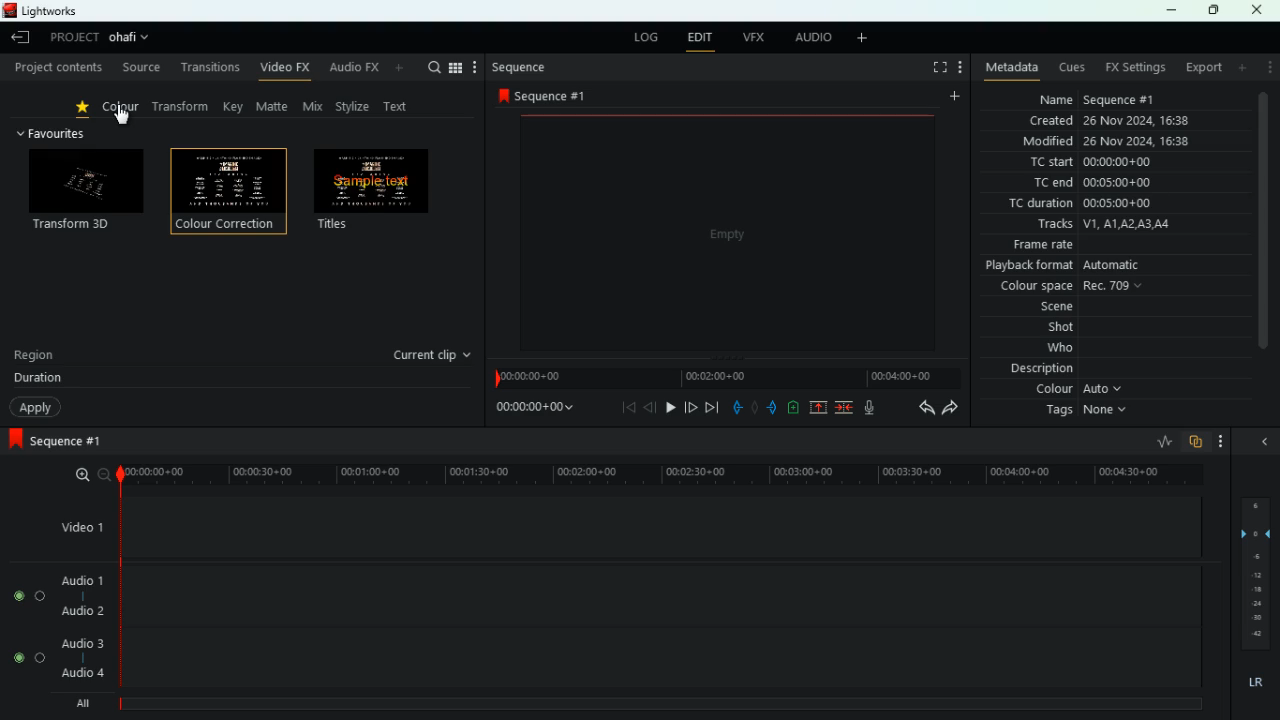  What do you see at coordinates (670, 407) in the screenshot?
I see `play` at bounding box center [670, 407].